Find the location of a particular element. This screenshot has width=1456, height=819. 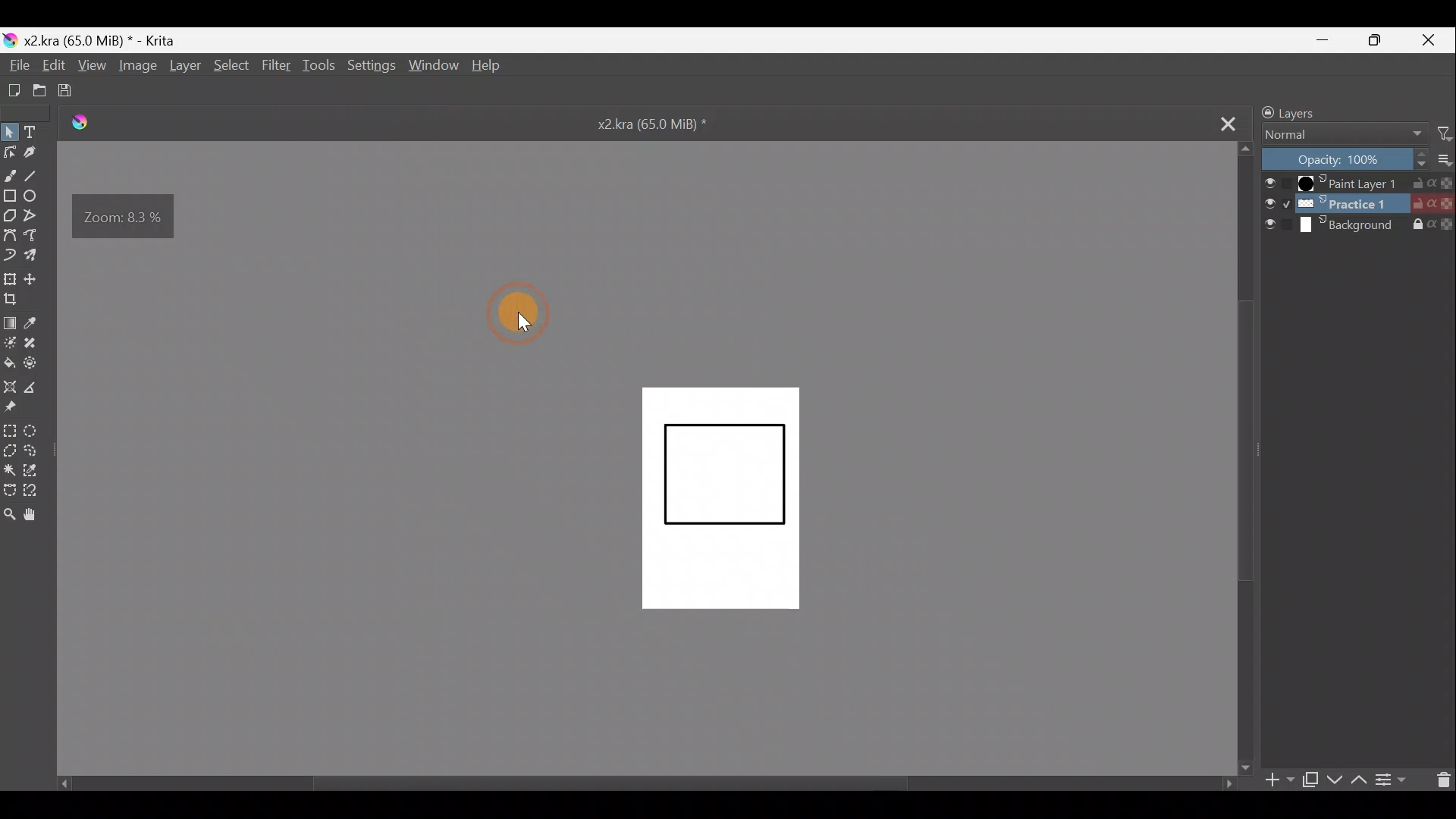

Add layer is located at coordinates (1279, 782).